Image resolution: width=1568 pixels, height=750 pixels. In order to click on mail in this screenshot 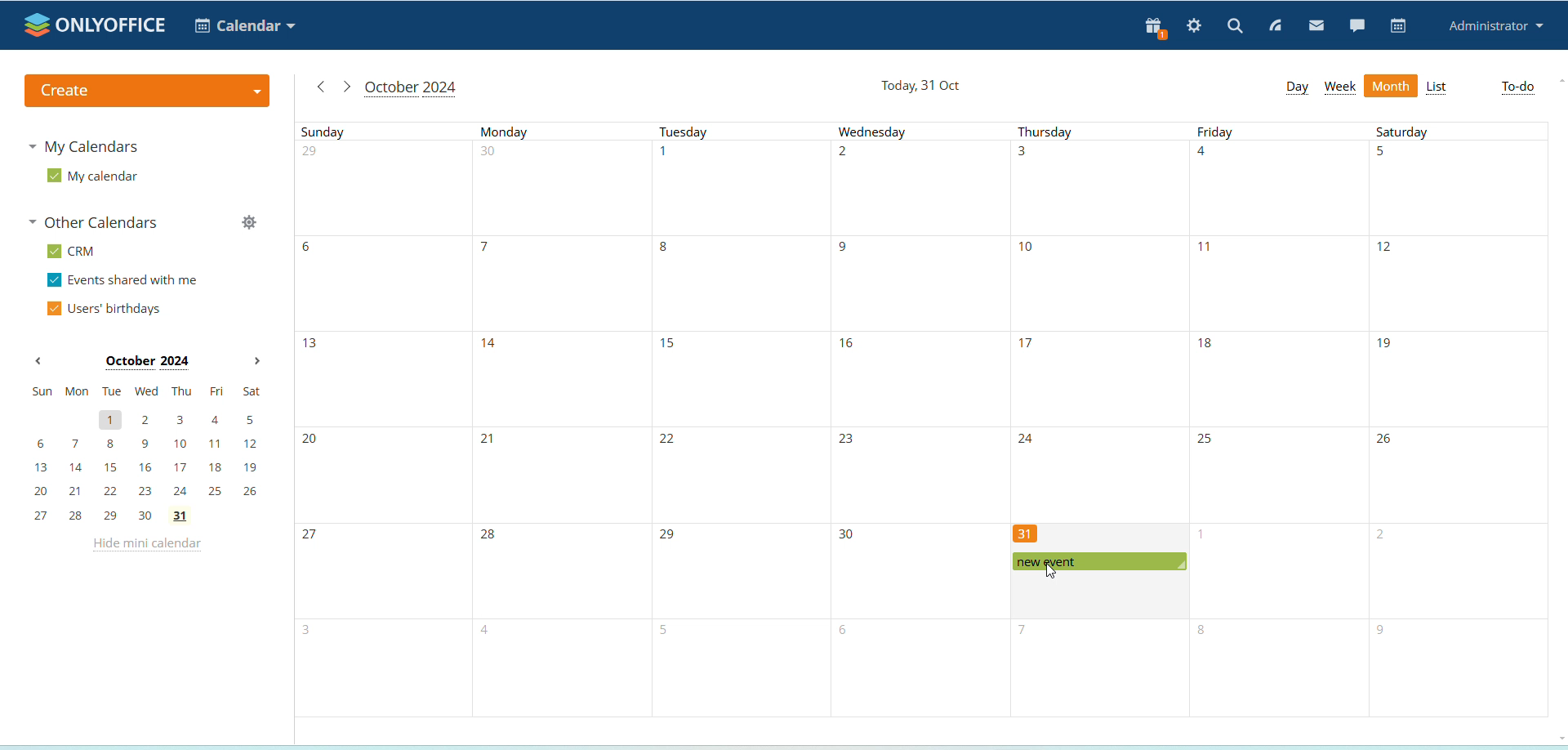, I will do `click(1317, 27)`.